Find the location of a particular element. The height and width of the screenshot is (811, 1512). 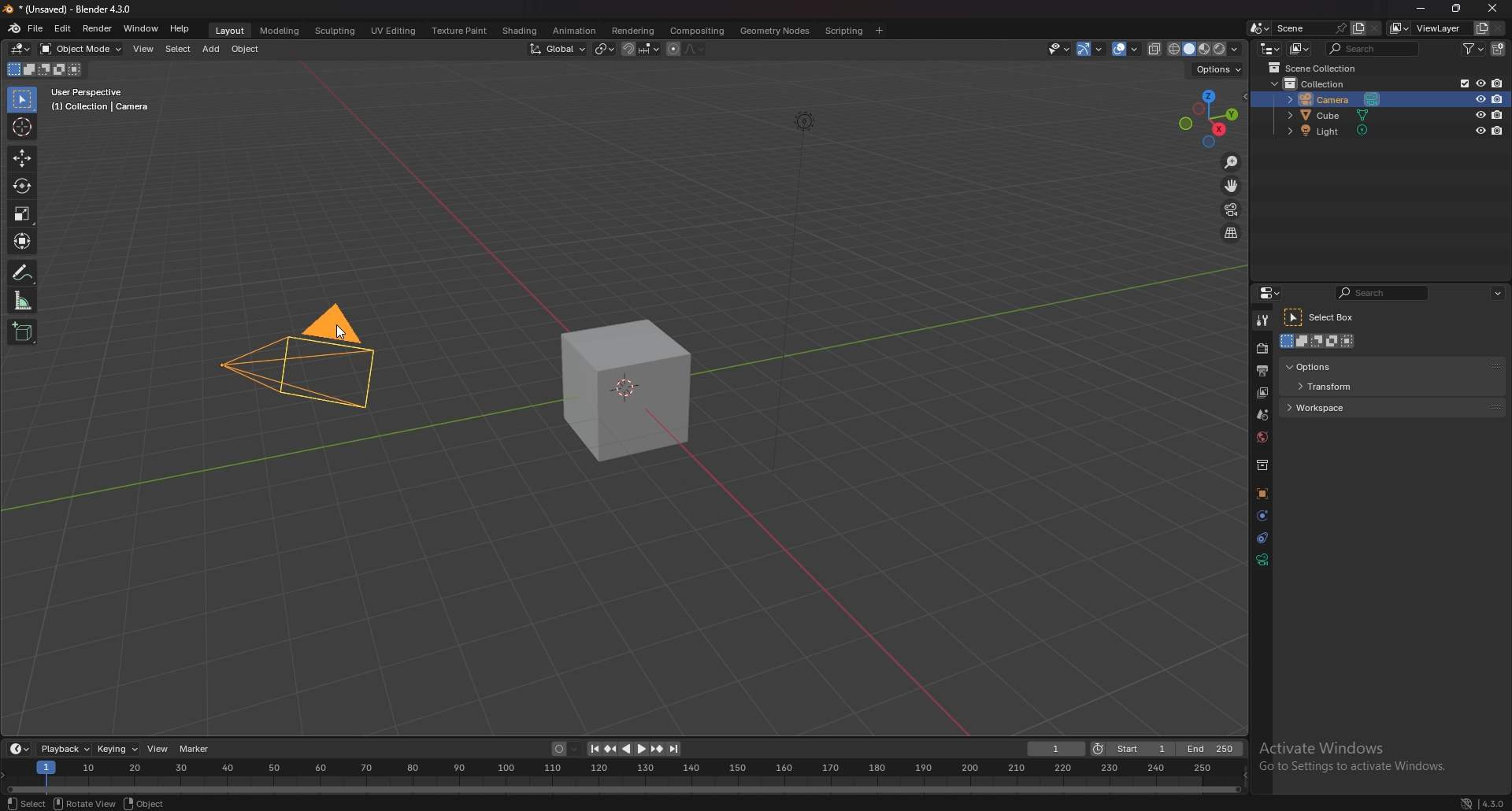

measure is located at coordinates (24, 299).